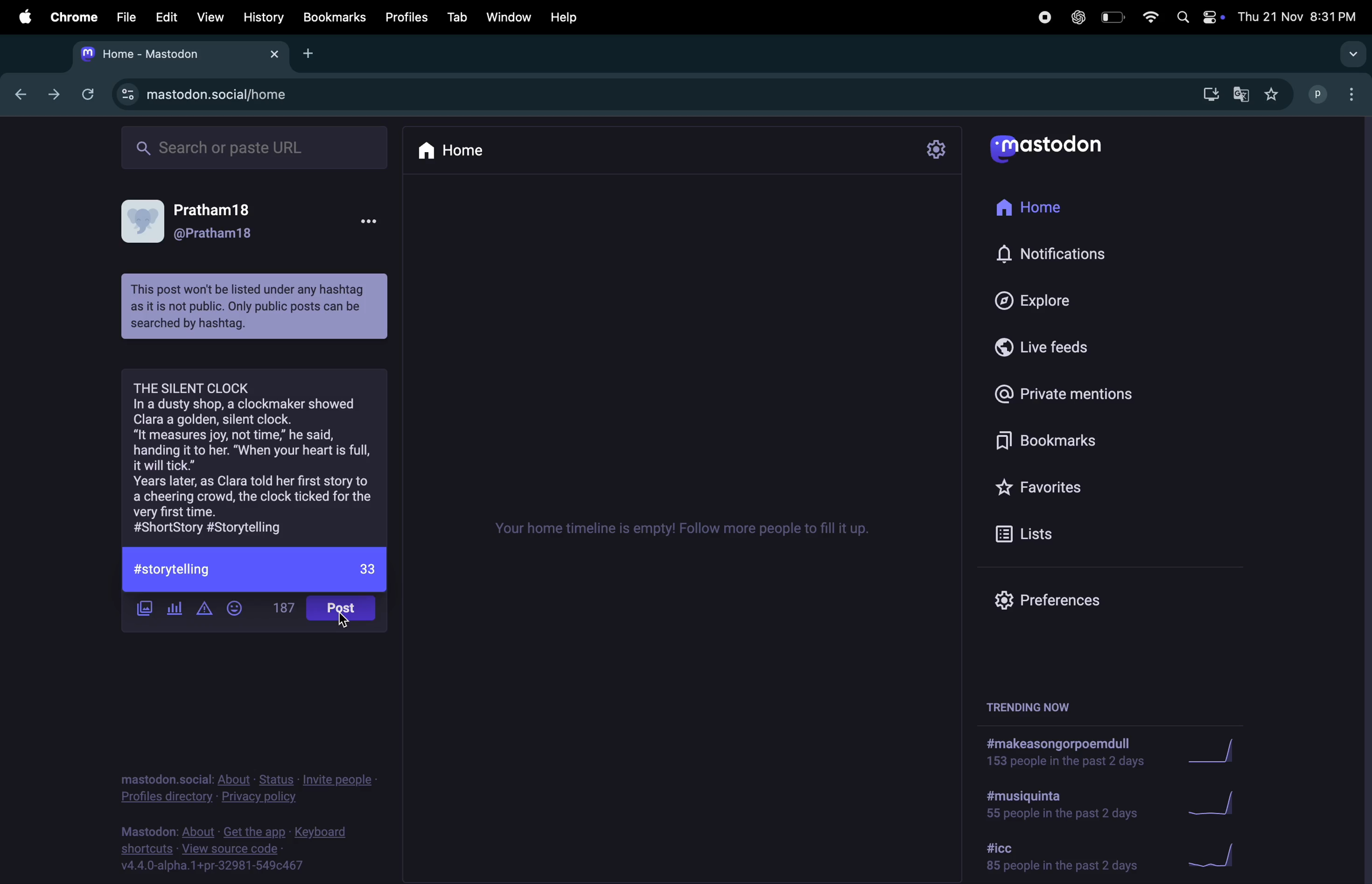  Describe the element at coordinates (239, 848) in the screenshot. I see `source code` at that location.